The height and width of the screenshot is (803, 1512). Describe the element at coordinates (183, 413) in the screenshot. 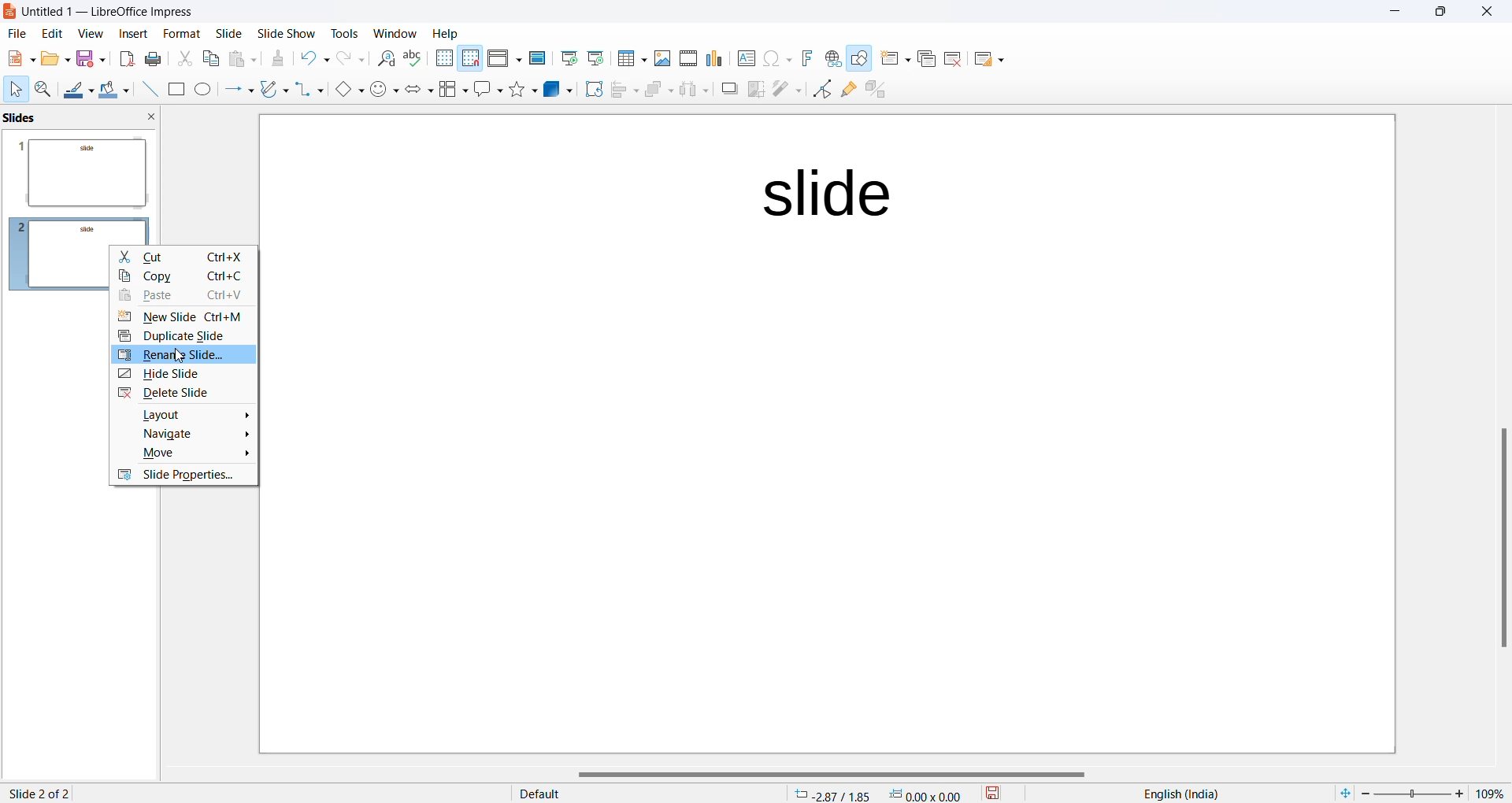

I see `layout` at that location.